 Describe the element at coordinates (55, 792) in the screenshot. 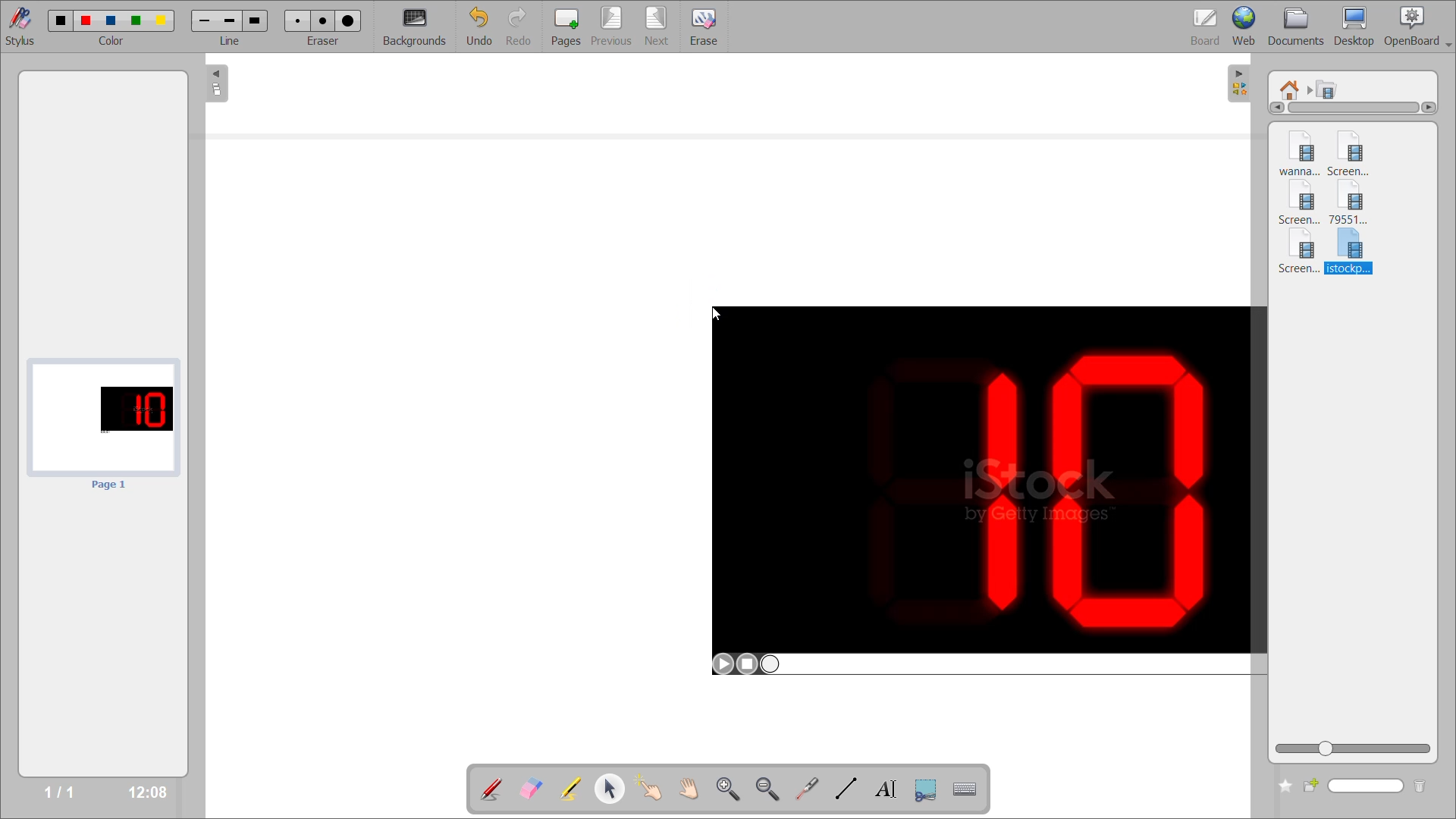

I see `1/1 page number` at that location.